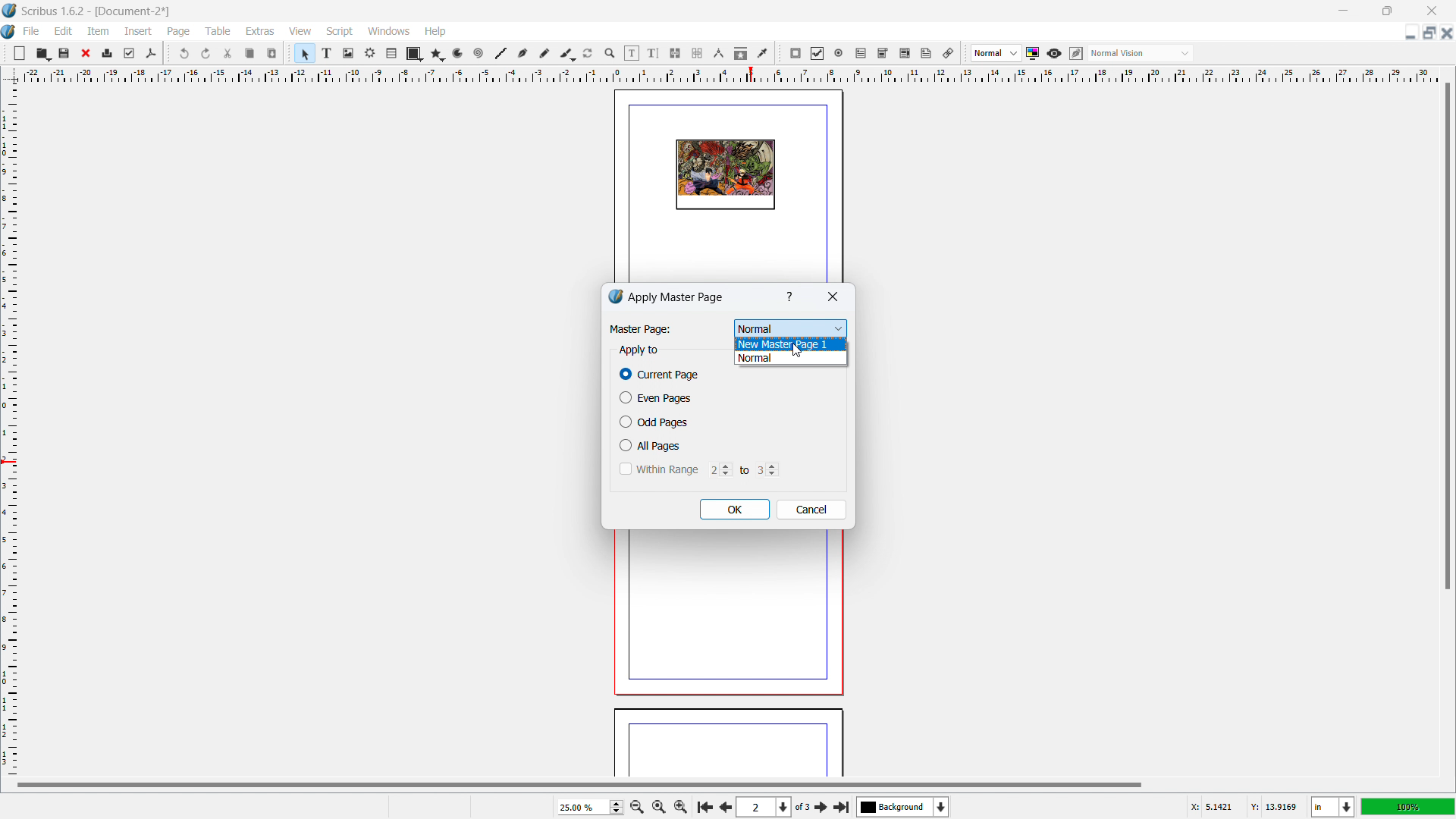 The image size is (1456, 819). What do you see at coordinates (1054, 54) in the screenshot?
I see `preview mode` at bounding box center [1054, 54].